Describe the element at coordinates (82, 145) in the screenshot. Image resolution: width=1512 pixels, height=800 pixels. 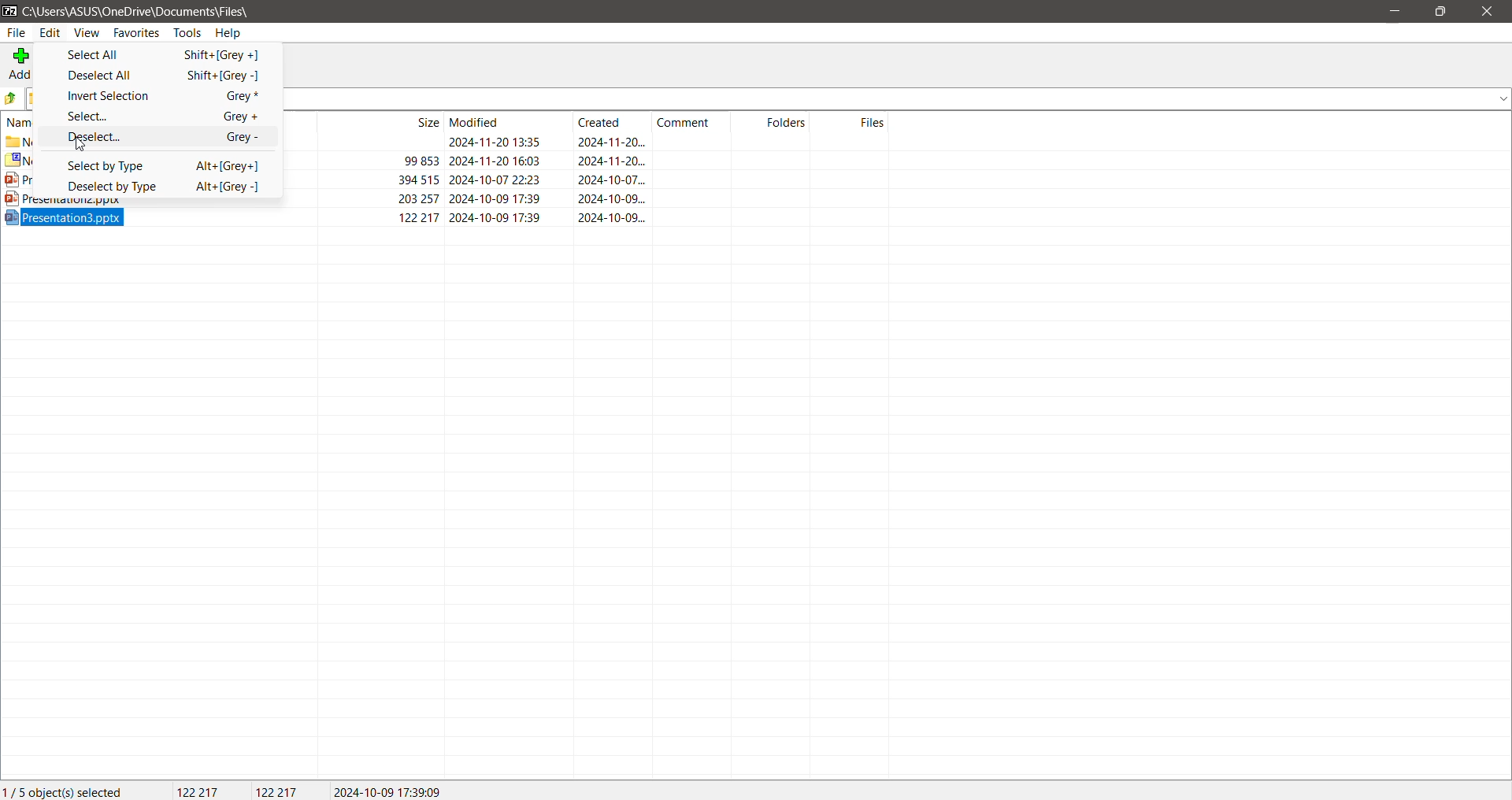
I see `cursor` at that location.